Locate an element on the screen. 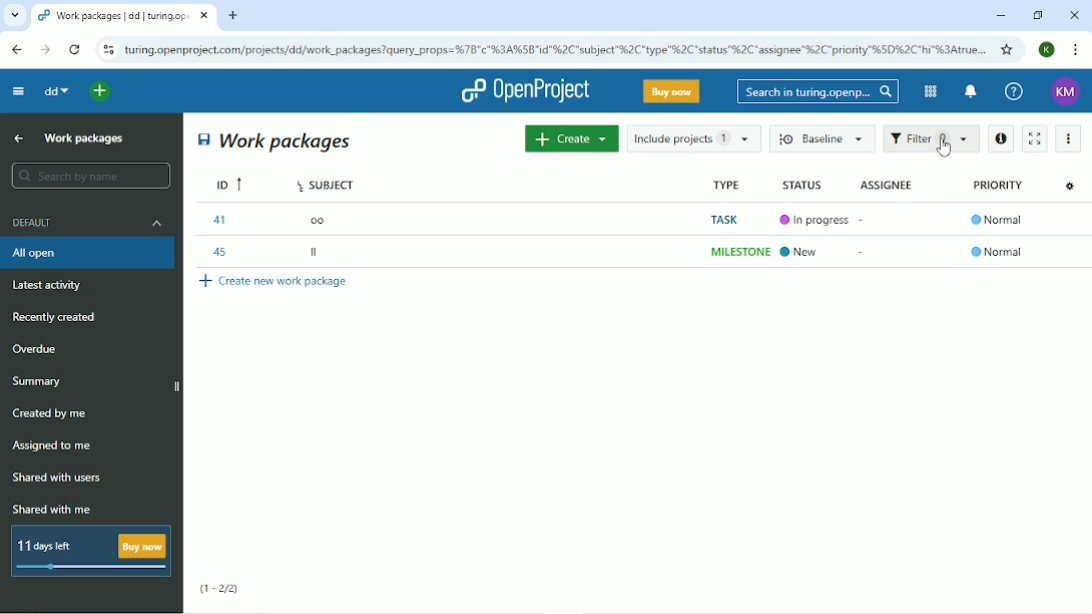 The width and height of the screenshot is (1092, 614). Latest activity is located at coordinates (53, 287).